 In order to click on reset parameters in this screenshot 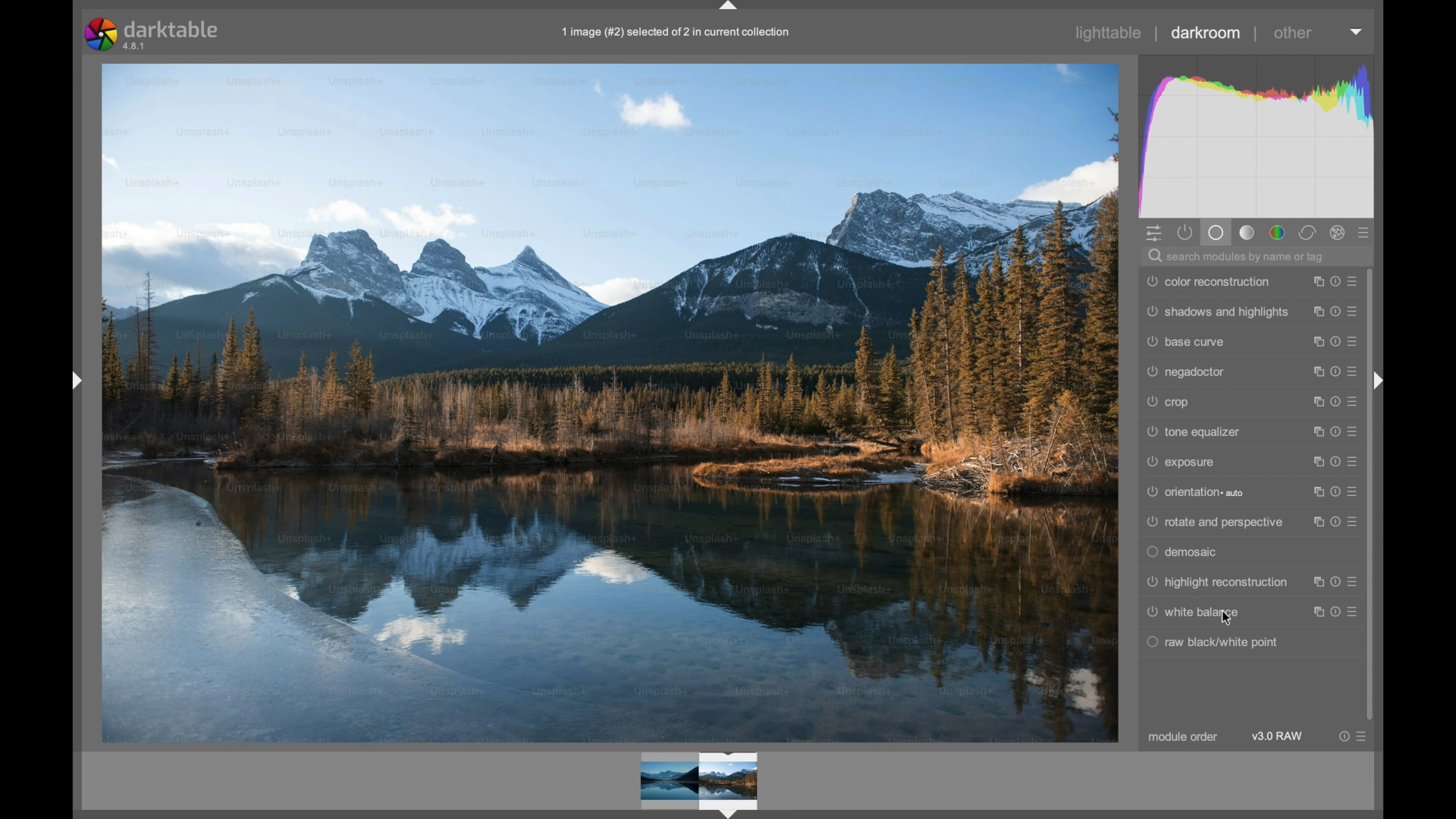, I will do `click(1336, 522)`.